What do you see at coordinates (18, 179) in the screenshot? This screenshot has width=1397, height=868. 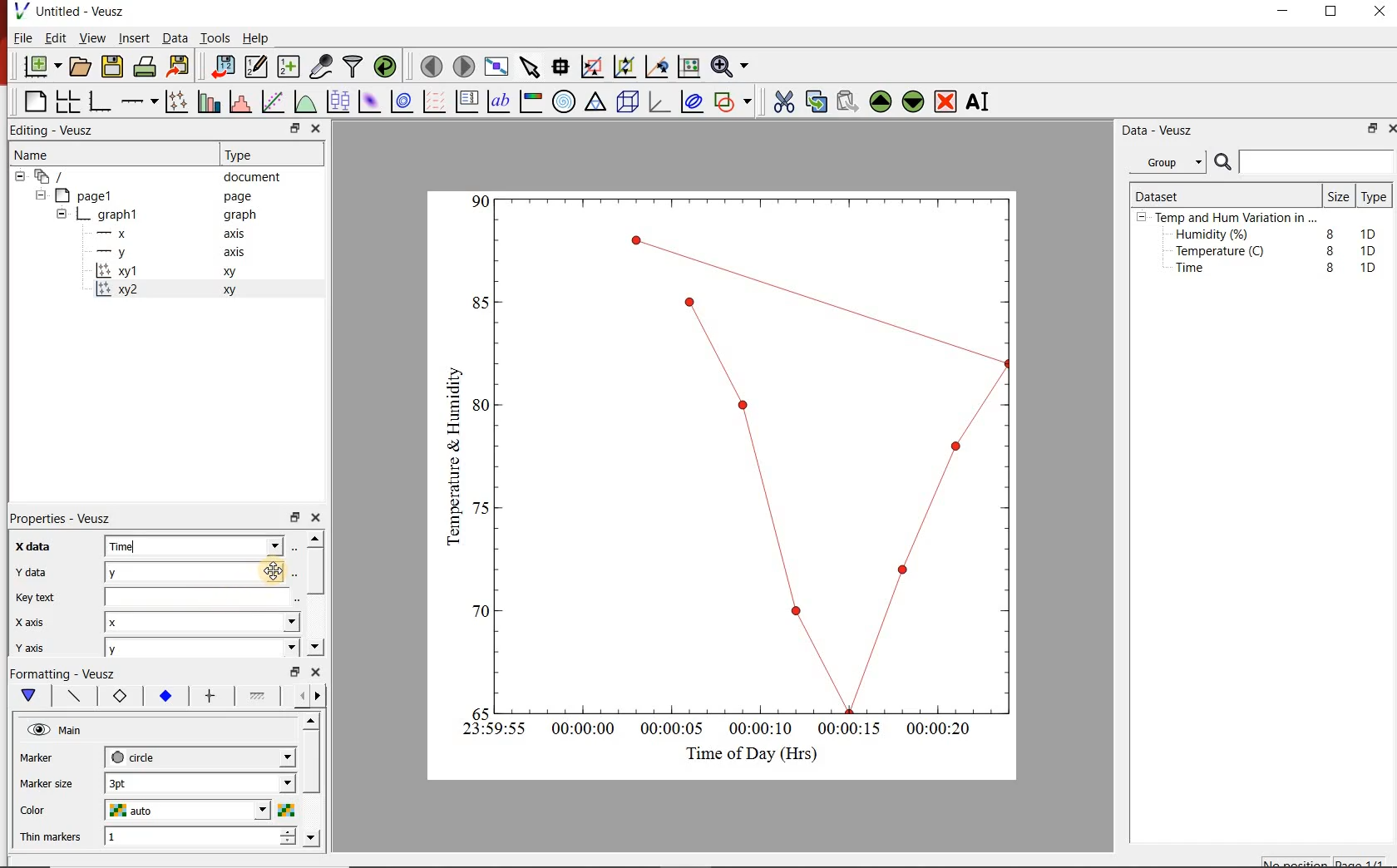 I see `hide sub menu` at bounding box center [18, 179].